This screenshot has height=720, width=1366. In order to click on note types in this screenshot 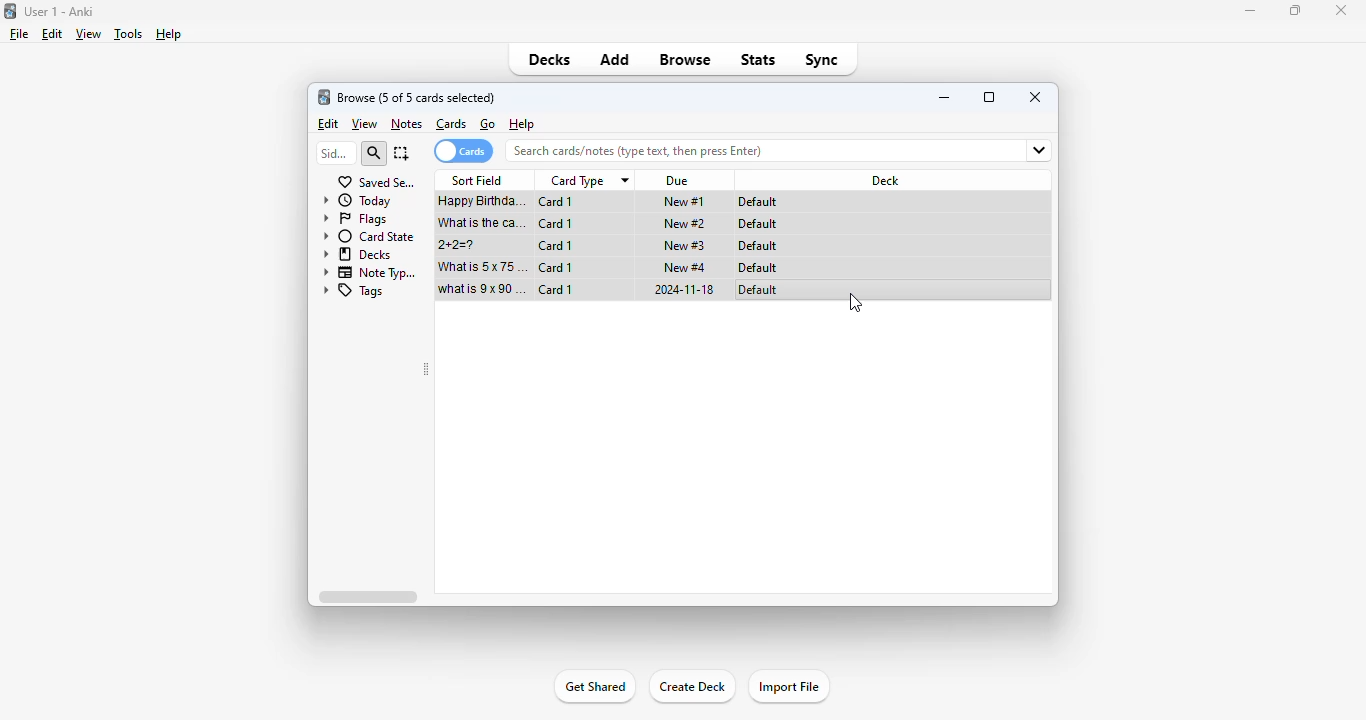, I will do `click(371, 273)`.